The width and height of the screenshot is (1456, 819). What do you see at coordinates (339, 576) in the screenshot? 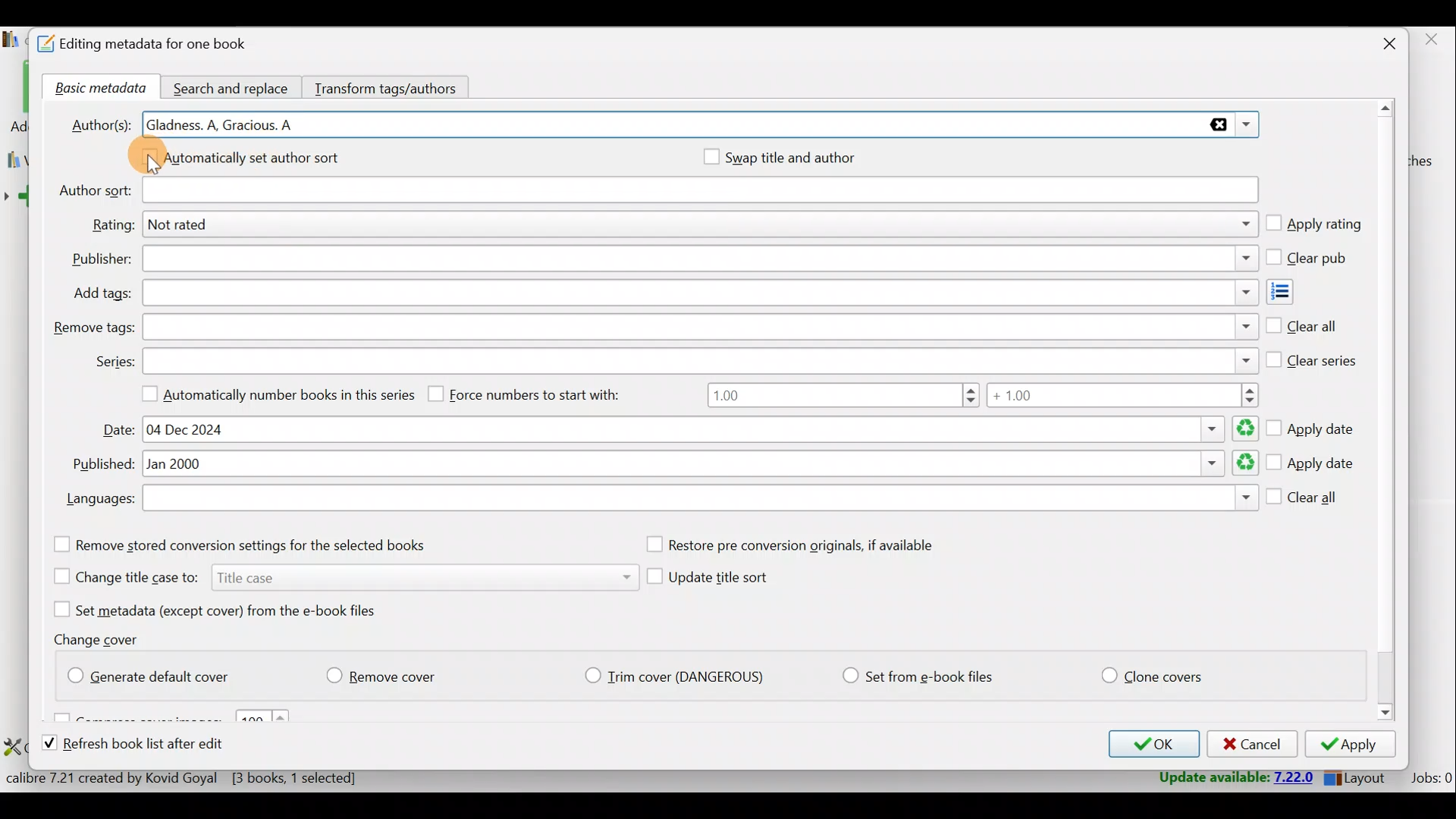
I see `Change title case to` at bounding box center [339, 576].